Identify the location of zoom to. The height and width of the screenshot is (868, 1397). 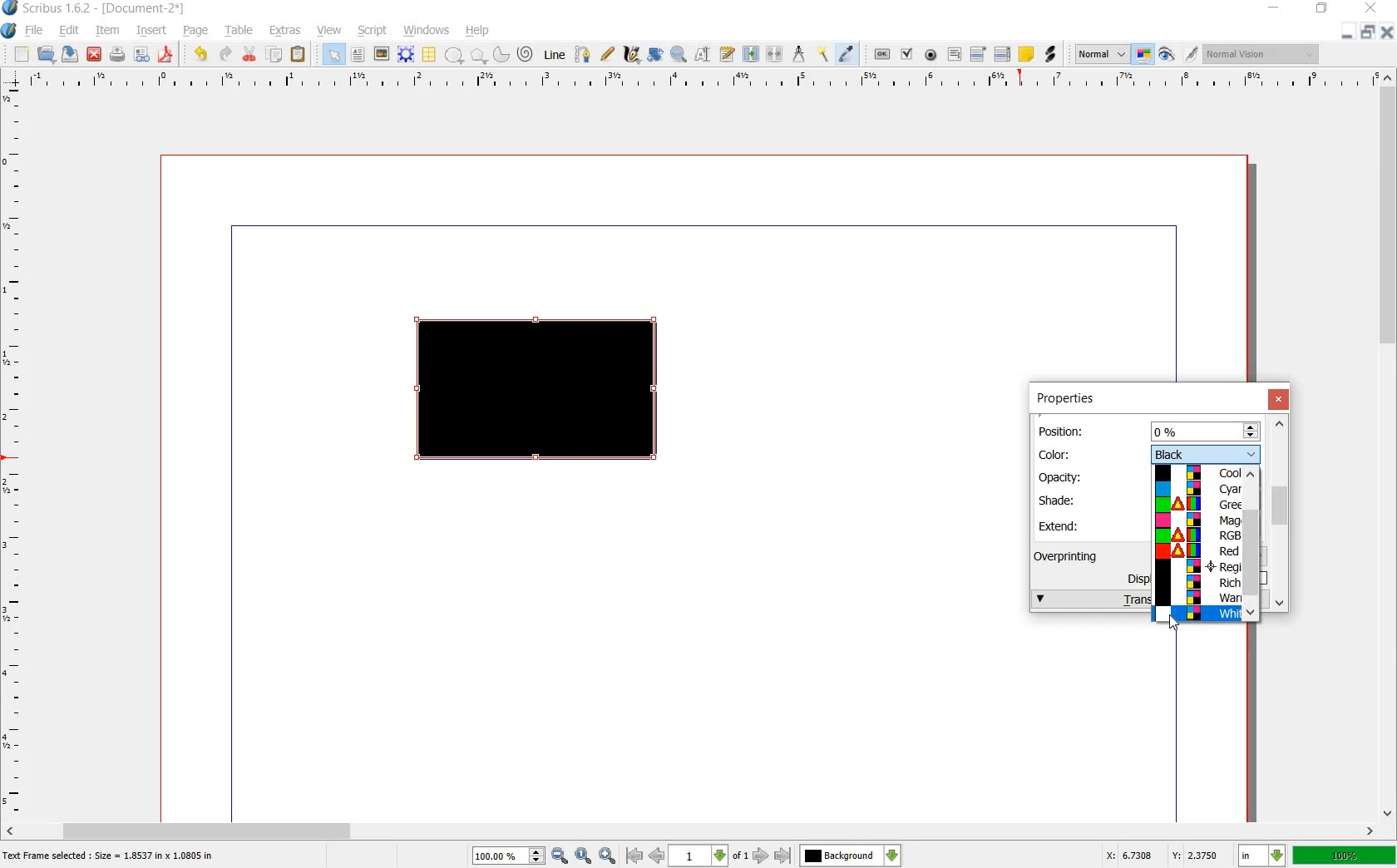
(584, 856).